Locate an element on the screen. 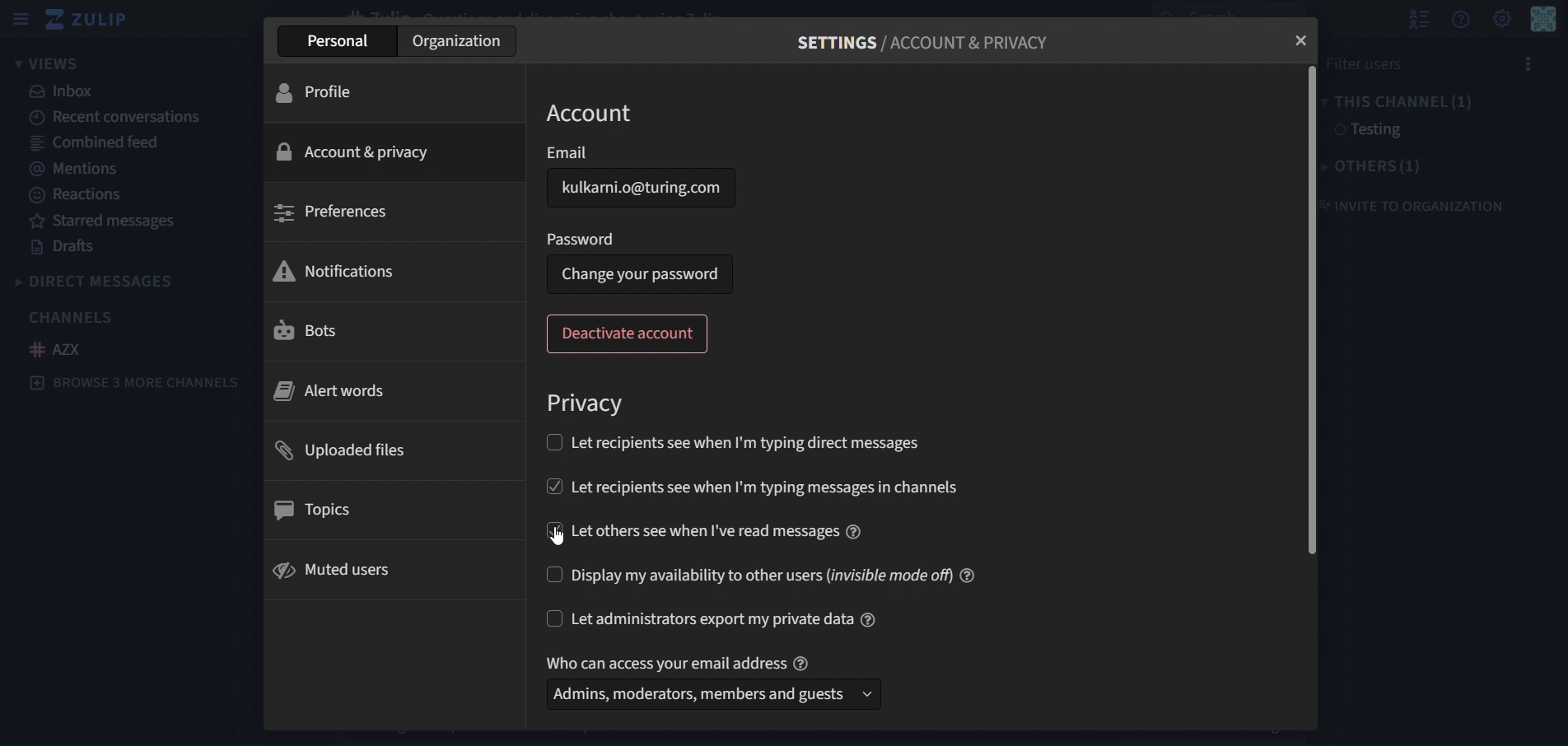 The height and width of the screenshot is (746, 1568). topics is located at coordinates (316, 510).